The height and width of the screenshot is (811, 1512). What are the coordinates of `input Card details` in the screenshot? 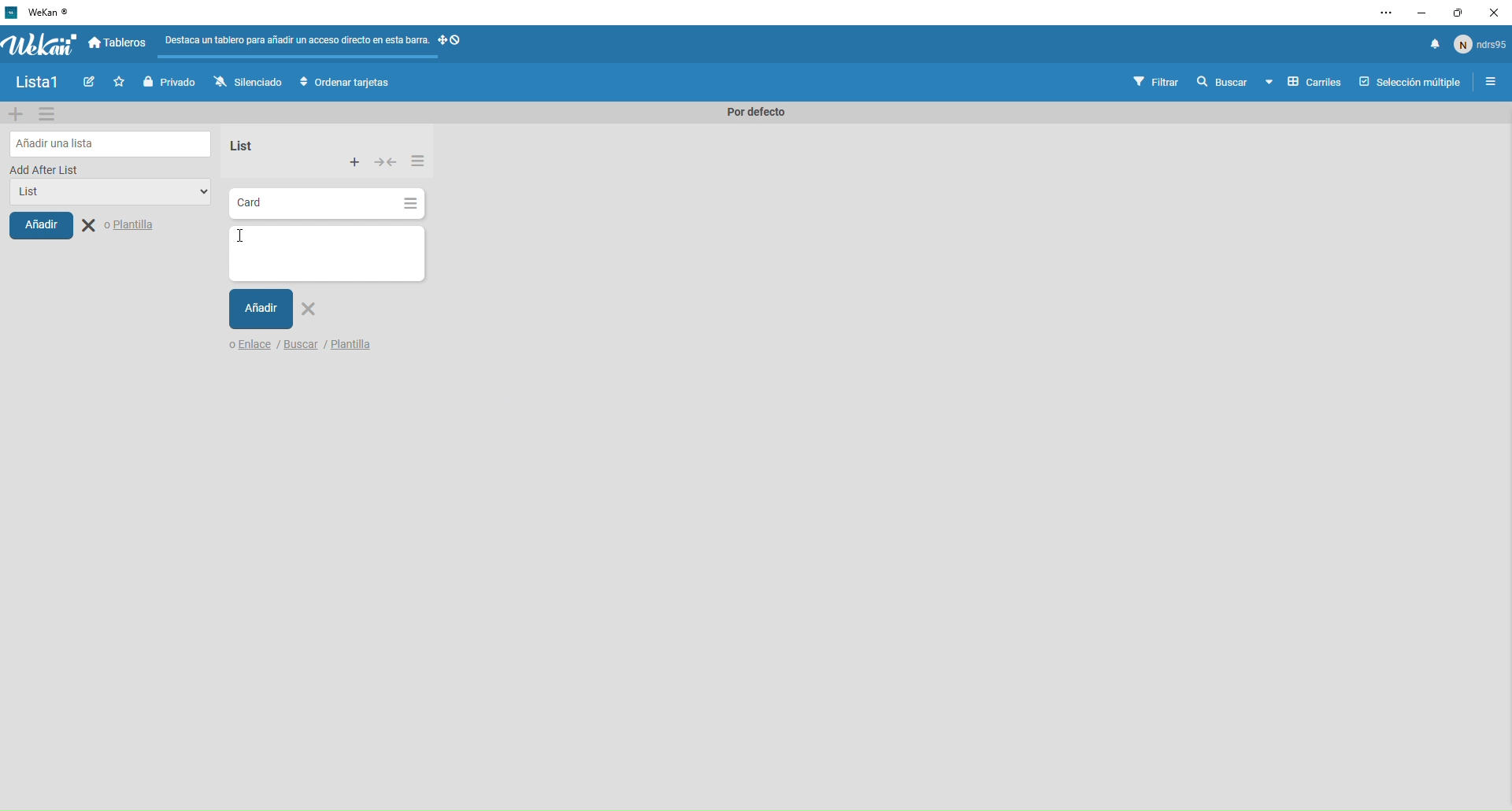 It's located at (324, 253).